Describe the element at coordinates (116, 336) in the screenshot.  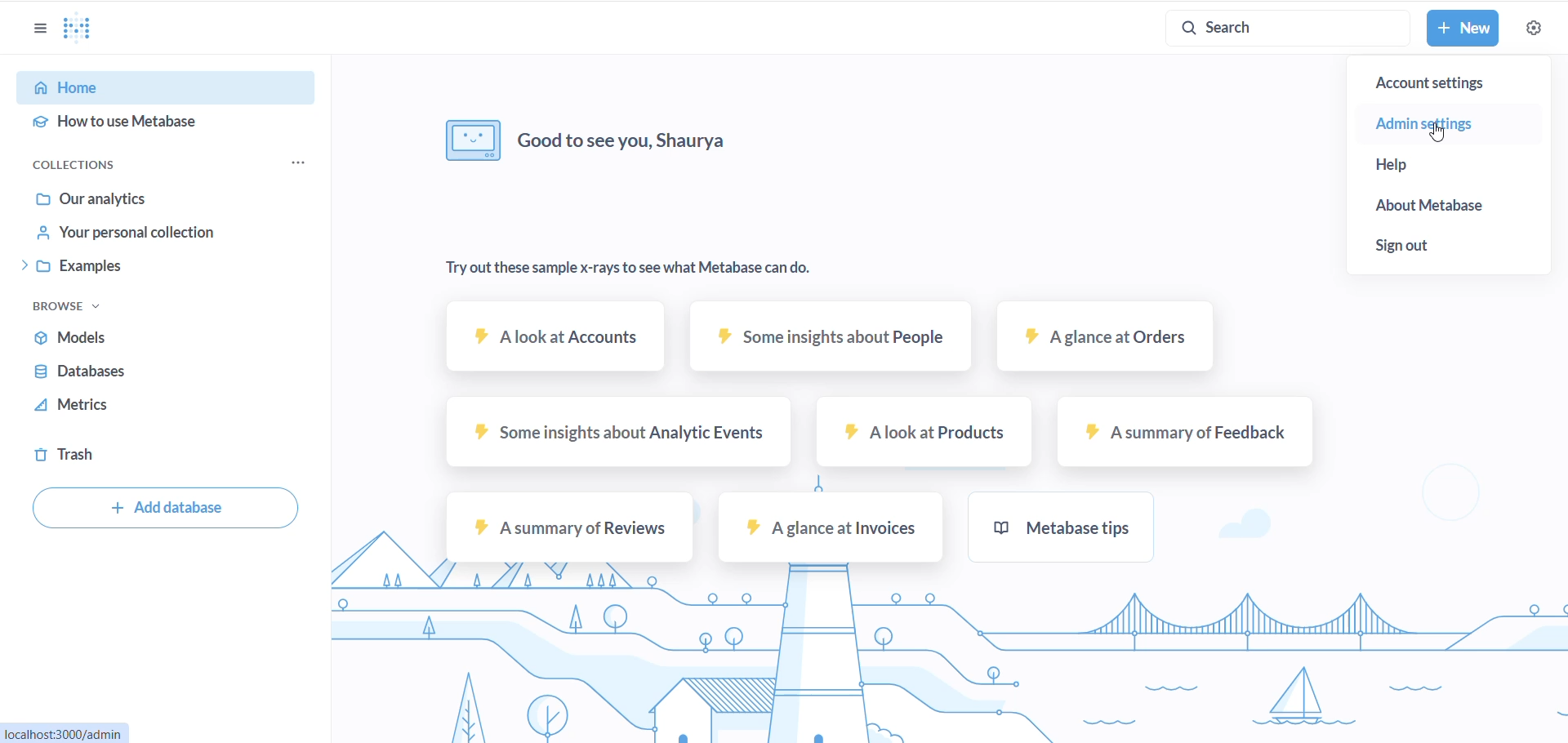
I see `MODELS` at that location.